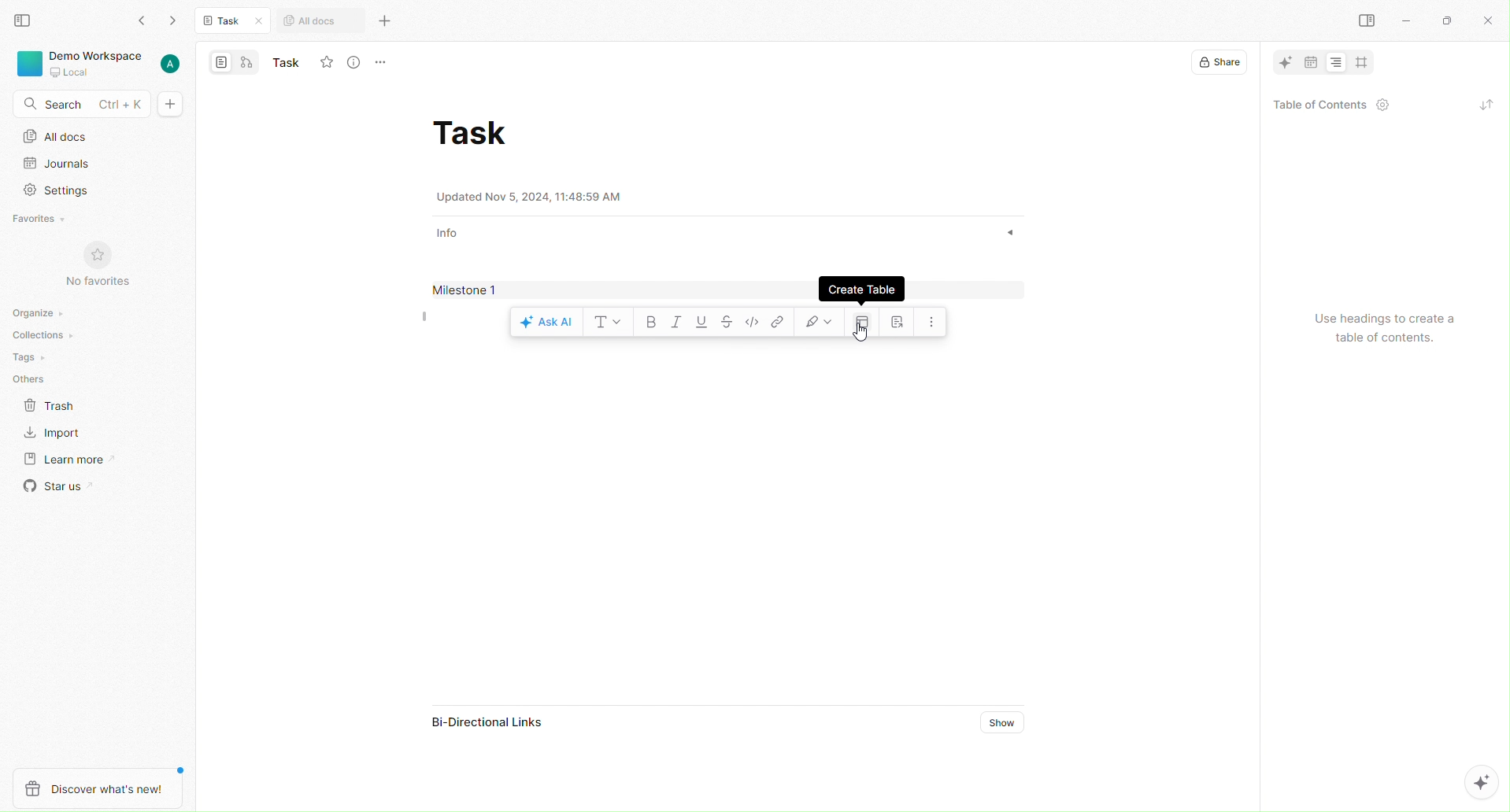  What do you see at coordinates (1000, 231) in the screenshot?
I see `show` at bounding box center [1000, 231].